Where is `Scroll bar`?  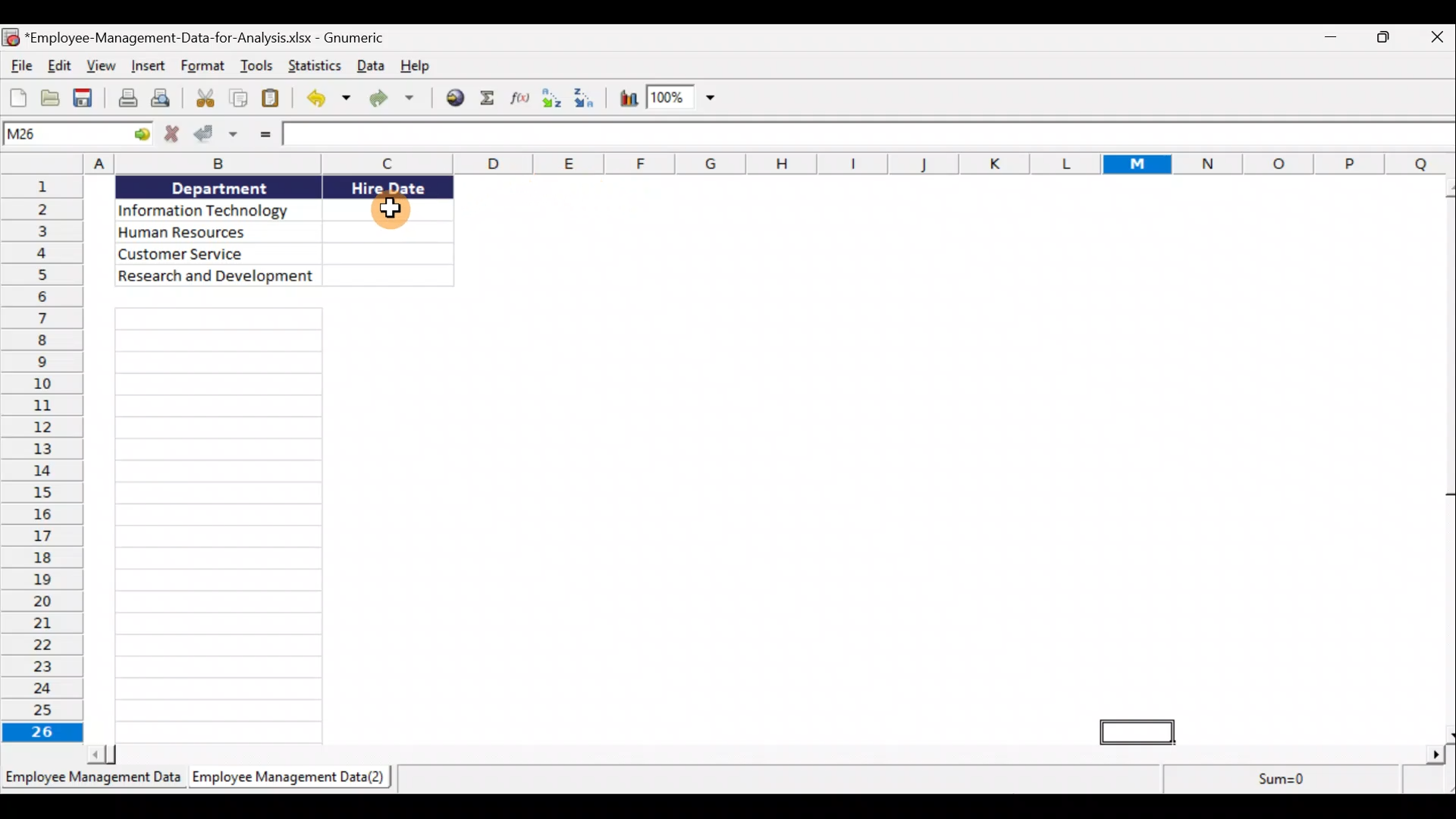 Scroll bar is located at coordinates (763, 755).